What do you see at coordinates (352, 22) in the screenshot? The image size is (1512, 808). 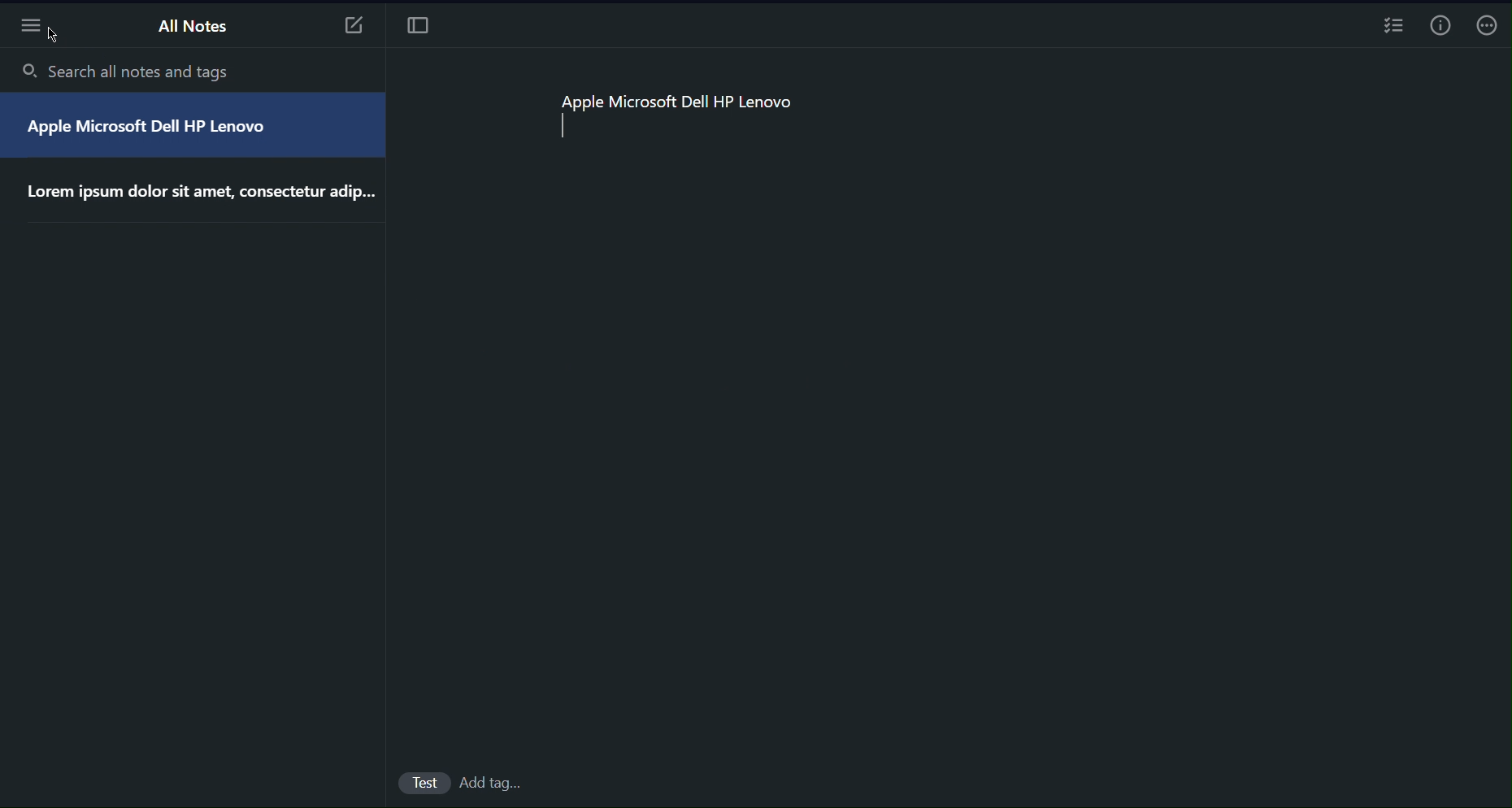 I see `New Notes` at bounding box center [352, 22].